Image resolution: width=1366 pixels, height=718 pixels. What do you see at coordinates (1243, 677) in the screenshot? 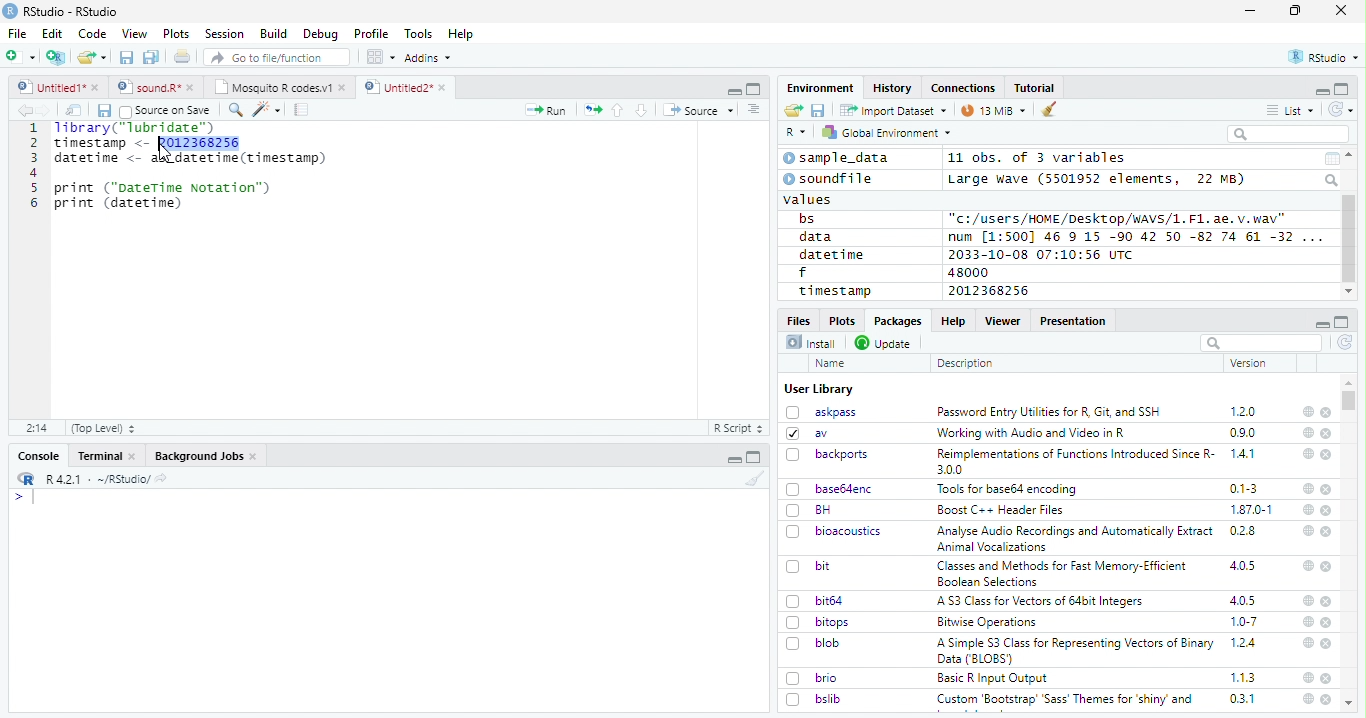
I see `1.1.3` at bounding box center [1243, 677].